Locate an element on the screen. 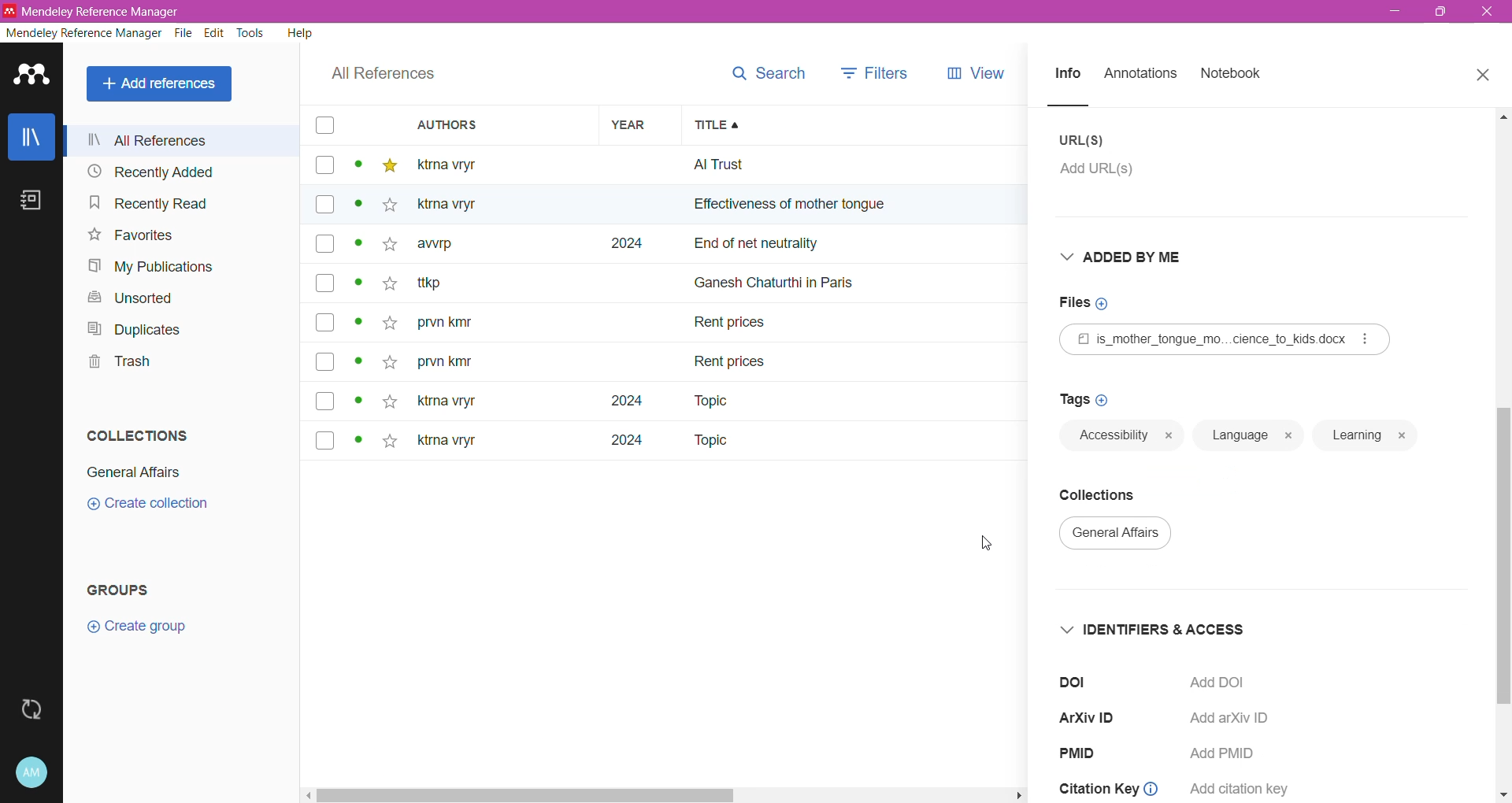 The height and width of the screenshot is (803, 1512). Added By Me is located at coordinates (1132, 257).